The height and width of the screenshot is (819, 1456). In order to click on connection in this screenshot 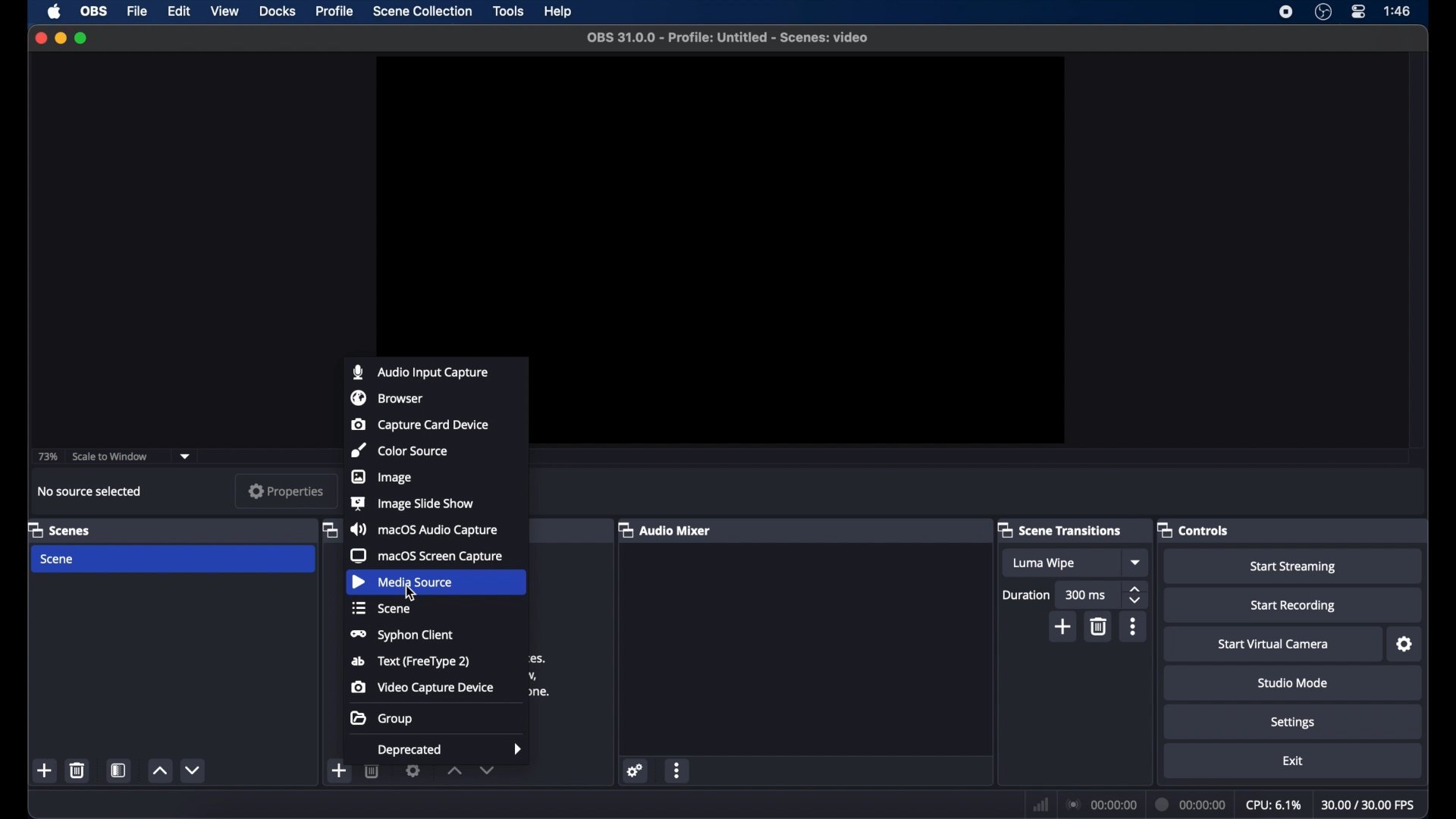, I will do `click(1101, 803)`.